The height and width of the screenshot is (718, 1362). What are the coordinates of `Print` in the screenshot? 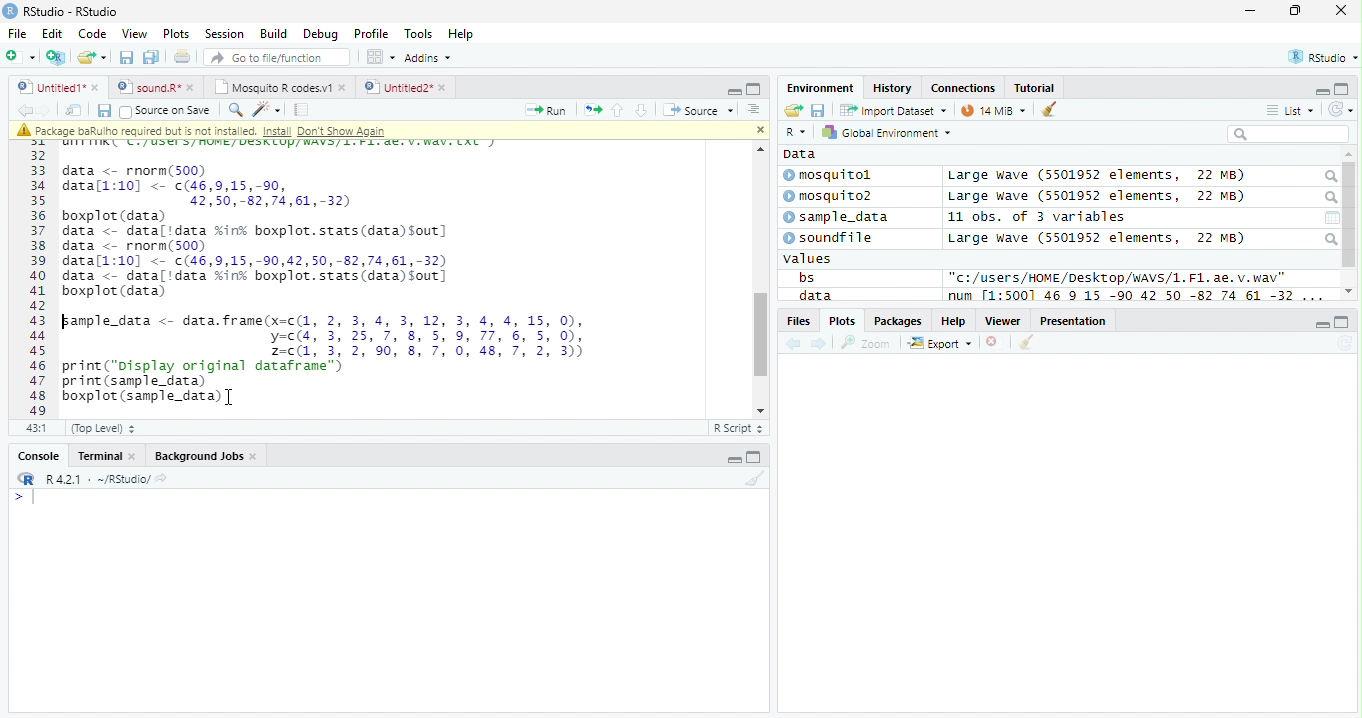 It's located at (183, 58).